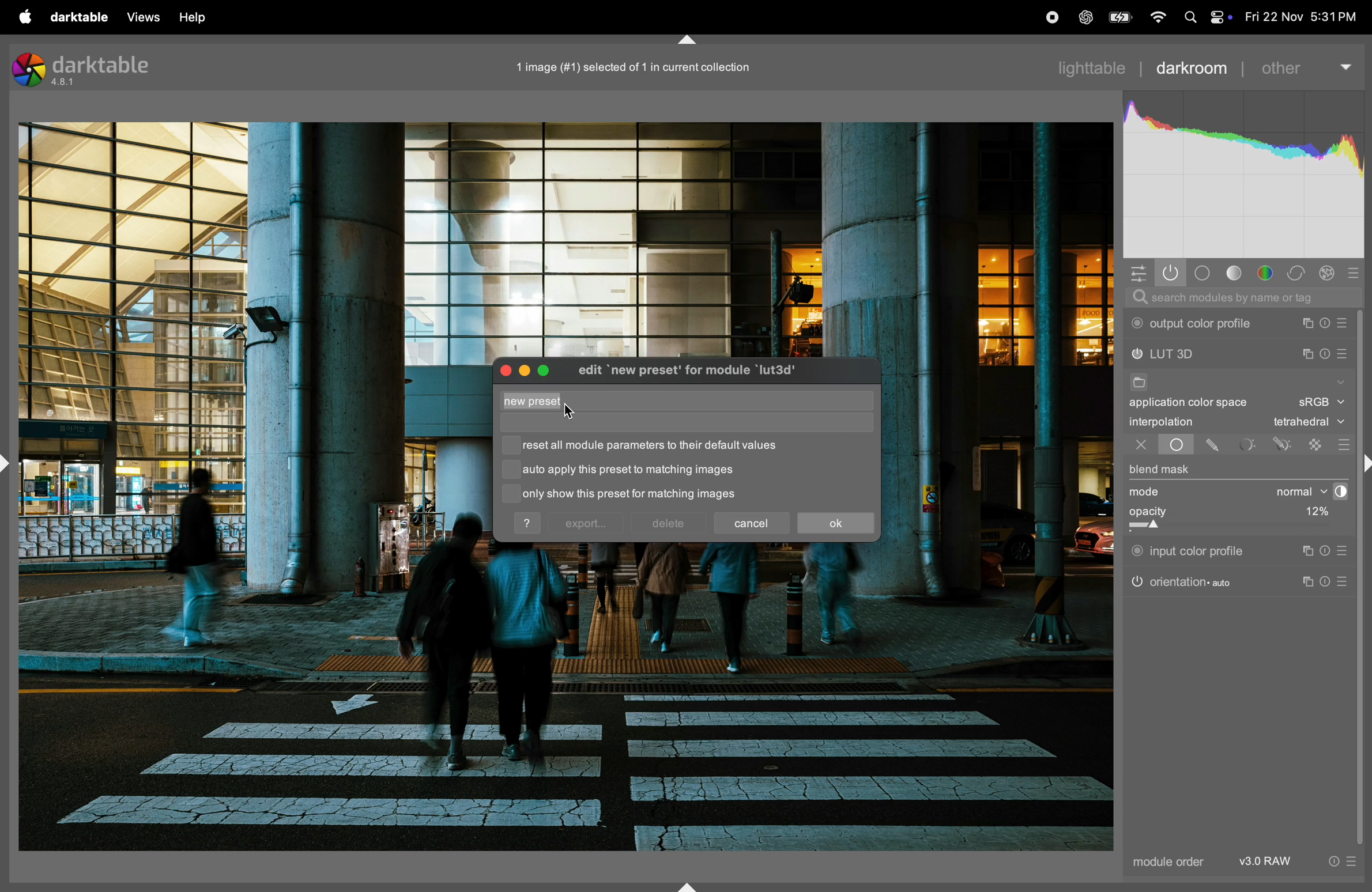 The image size is (1372, 892). I want to click on v3.0 raw, so click(1296, 864).